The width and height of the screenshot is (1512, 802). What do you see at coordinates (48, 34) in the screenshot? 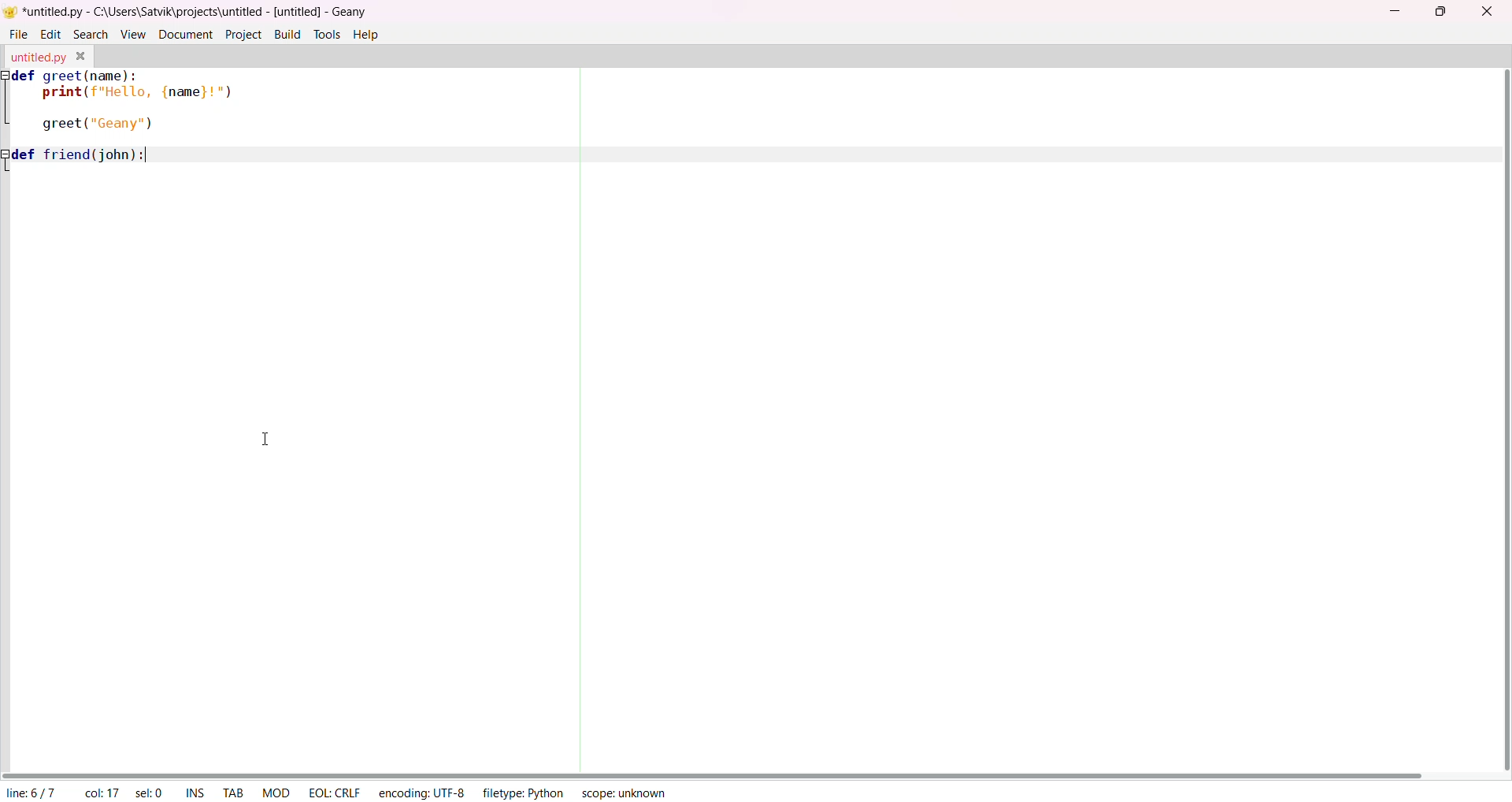
I see `edit` at bounding box center [48, 34].